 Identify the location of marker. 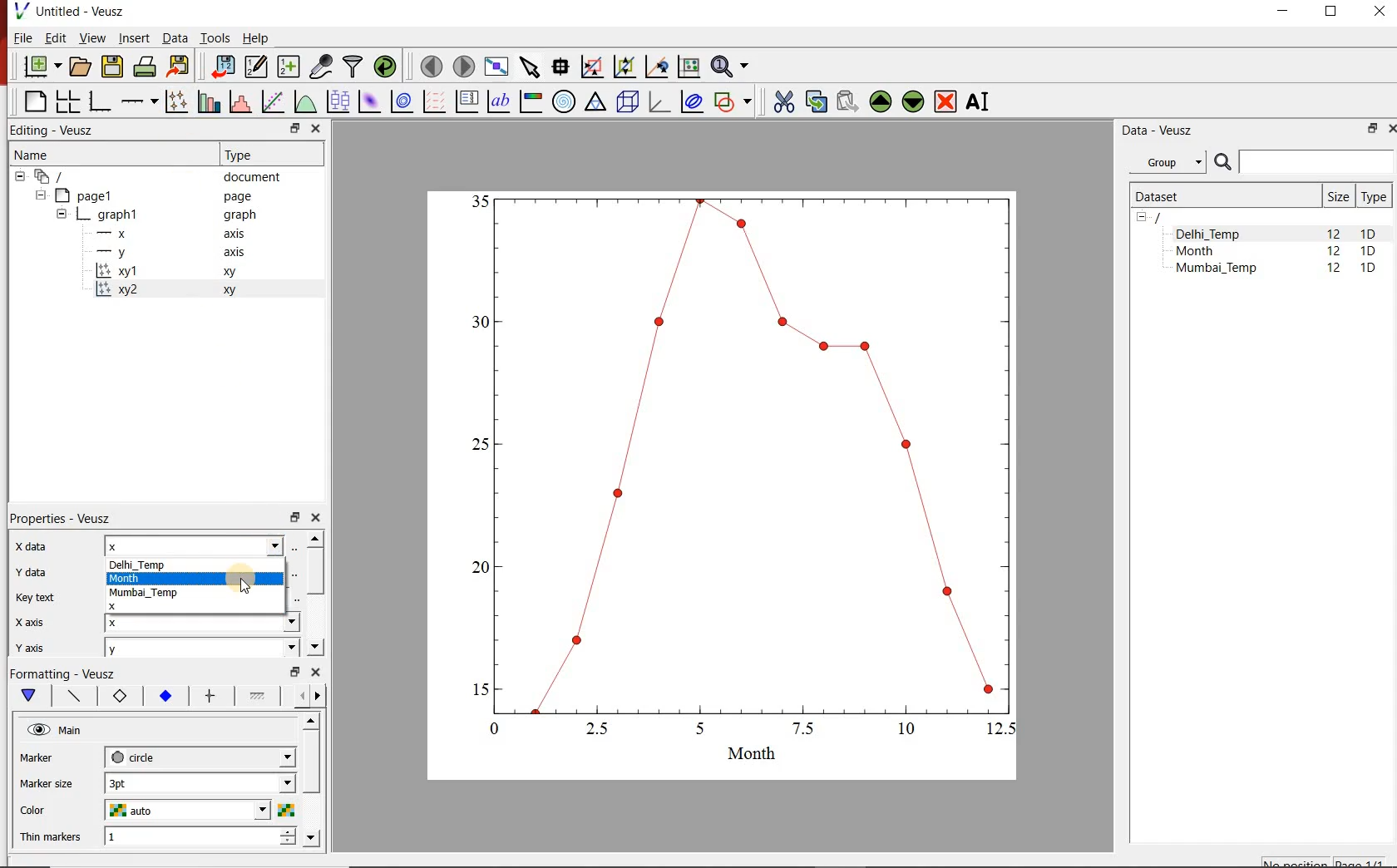
(49, 757).